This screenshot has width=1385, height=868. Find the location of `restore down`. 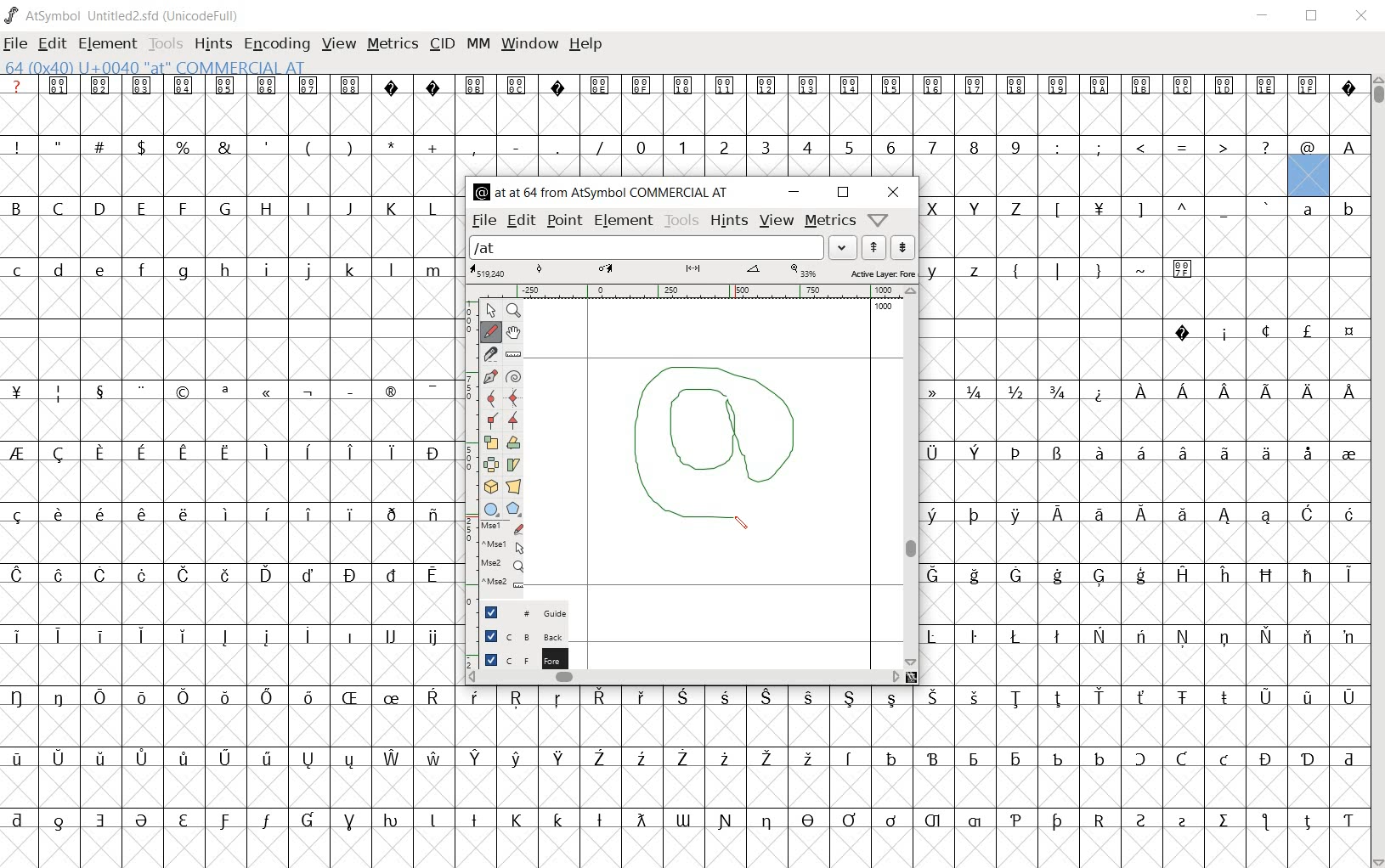

restore down is located at coordinates (845, 193).